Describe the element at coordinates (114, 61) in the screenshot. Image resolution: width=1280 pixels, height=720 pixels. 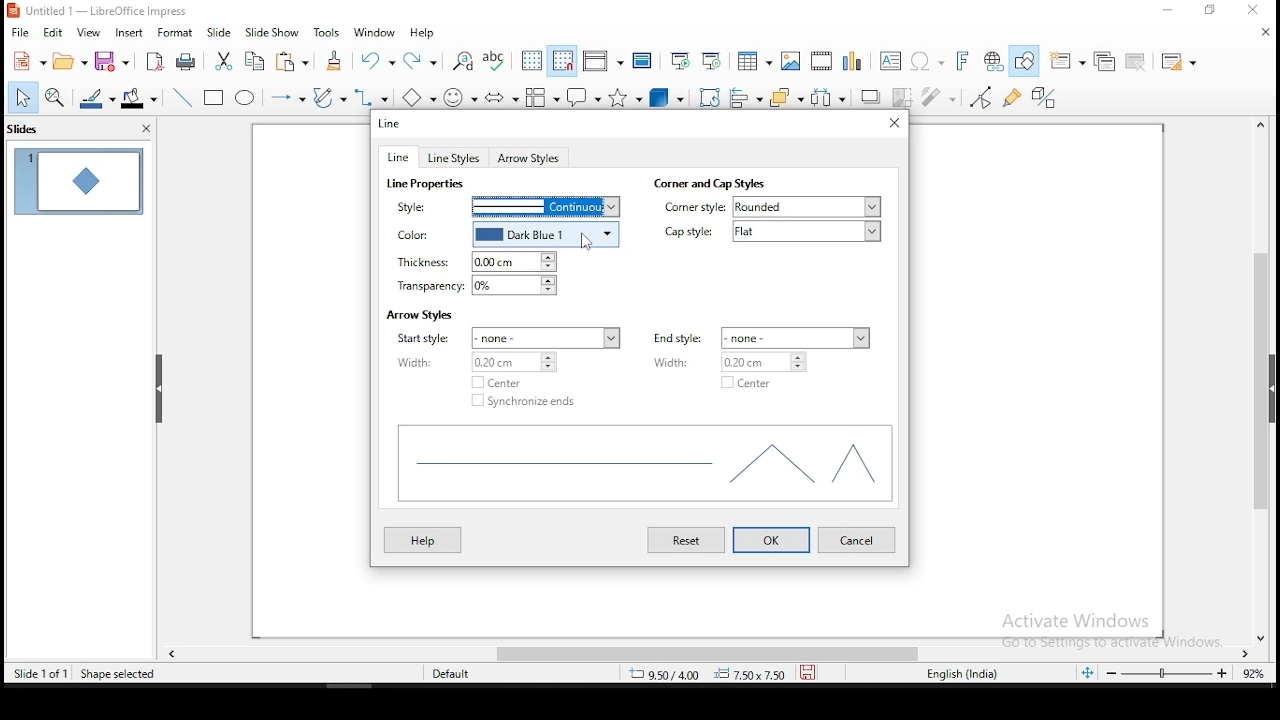
I see `save` at that location.